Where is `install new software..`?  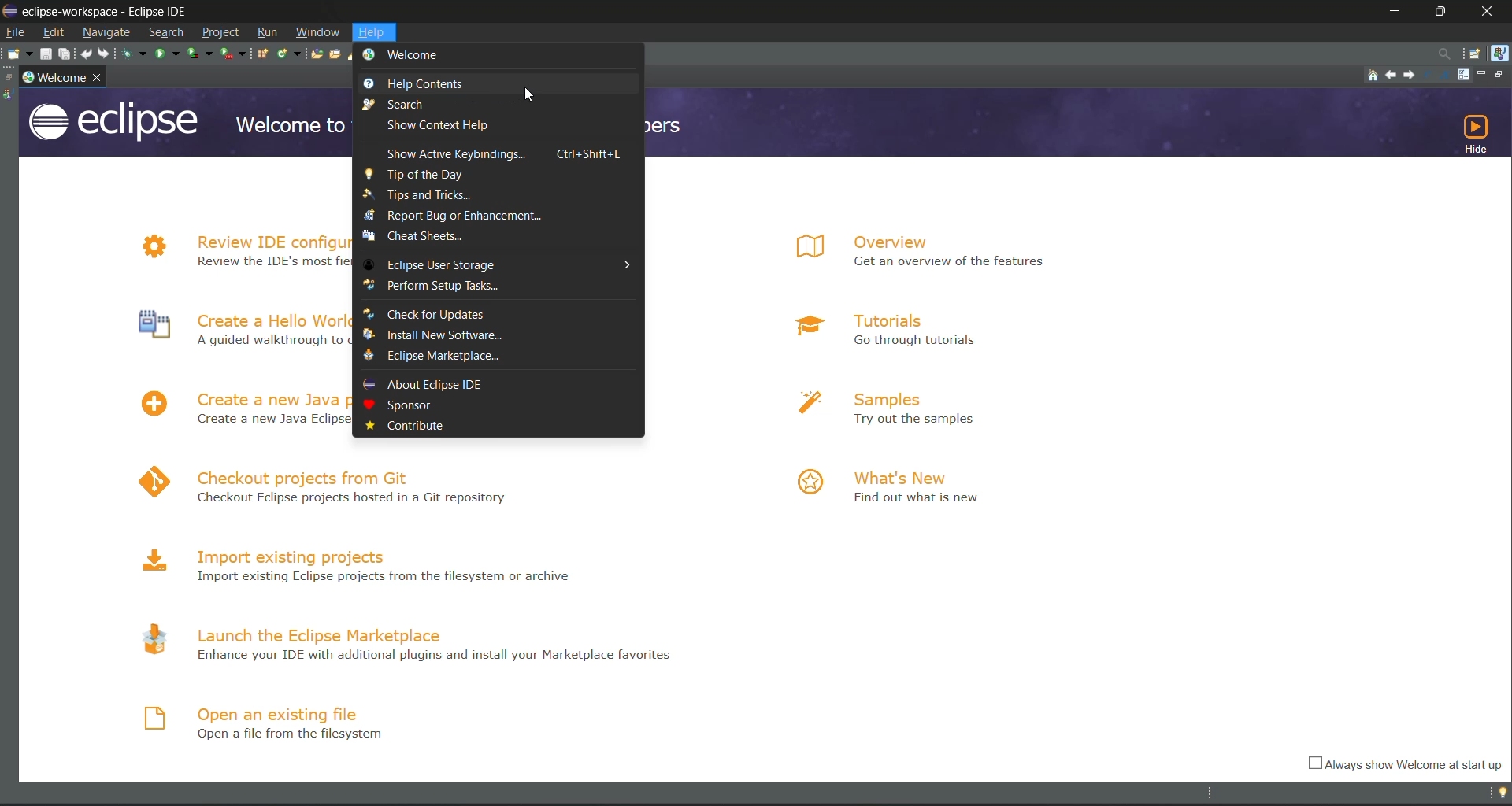 install new software.. is located at coordinates (440, 335).